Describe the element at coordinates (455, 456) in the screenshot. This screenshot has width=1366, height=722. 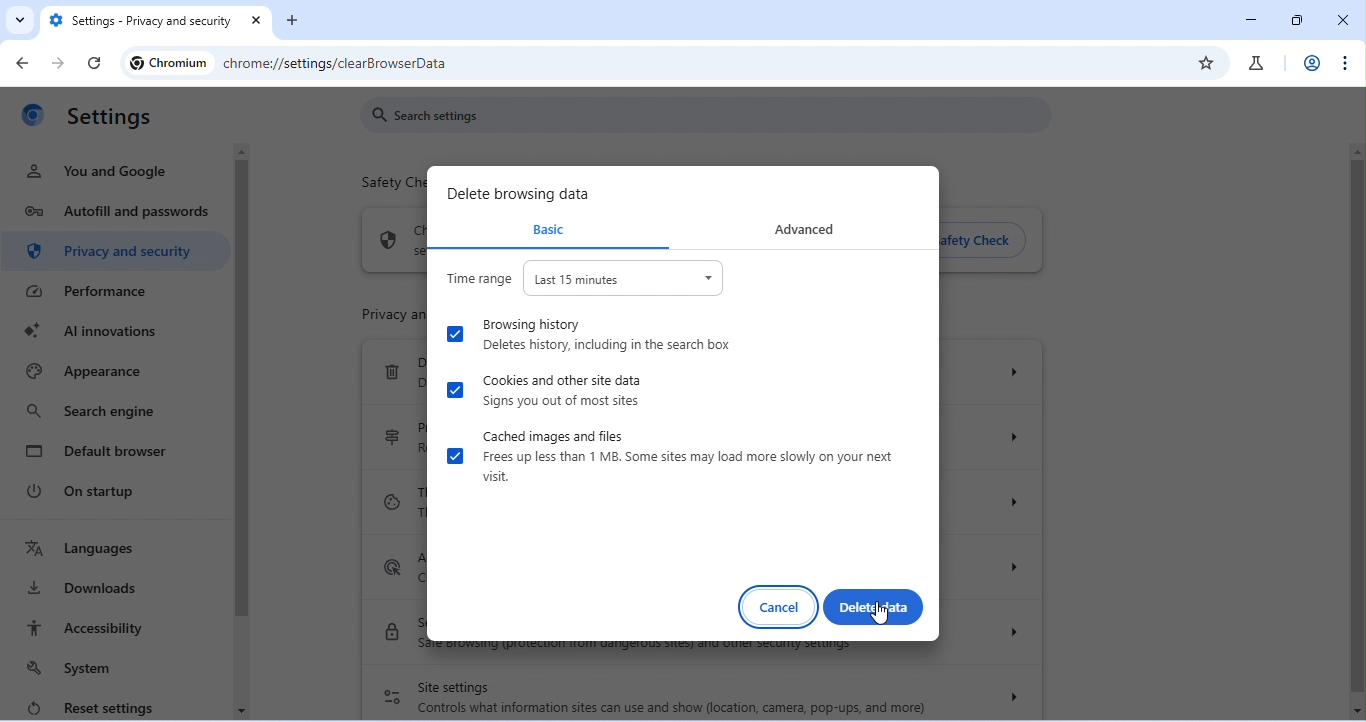
I see `check box` at that location.